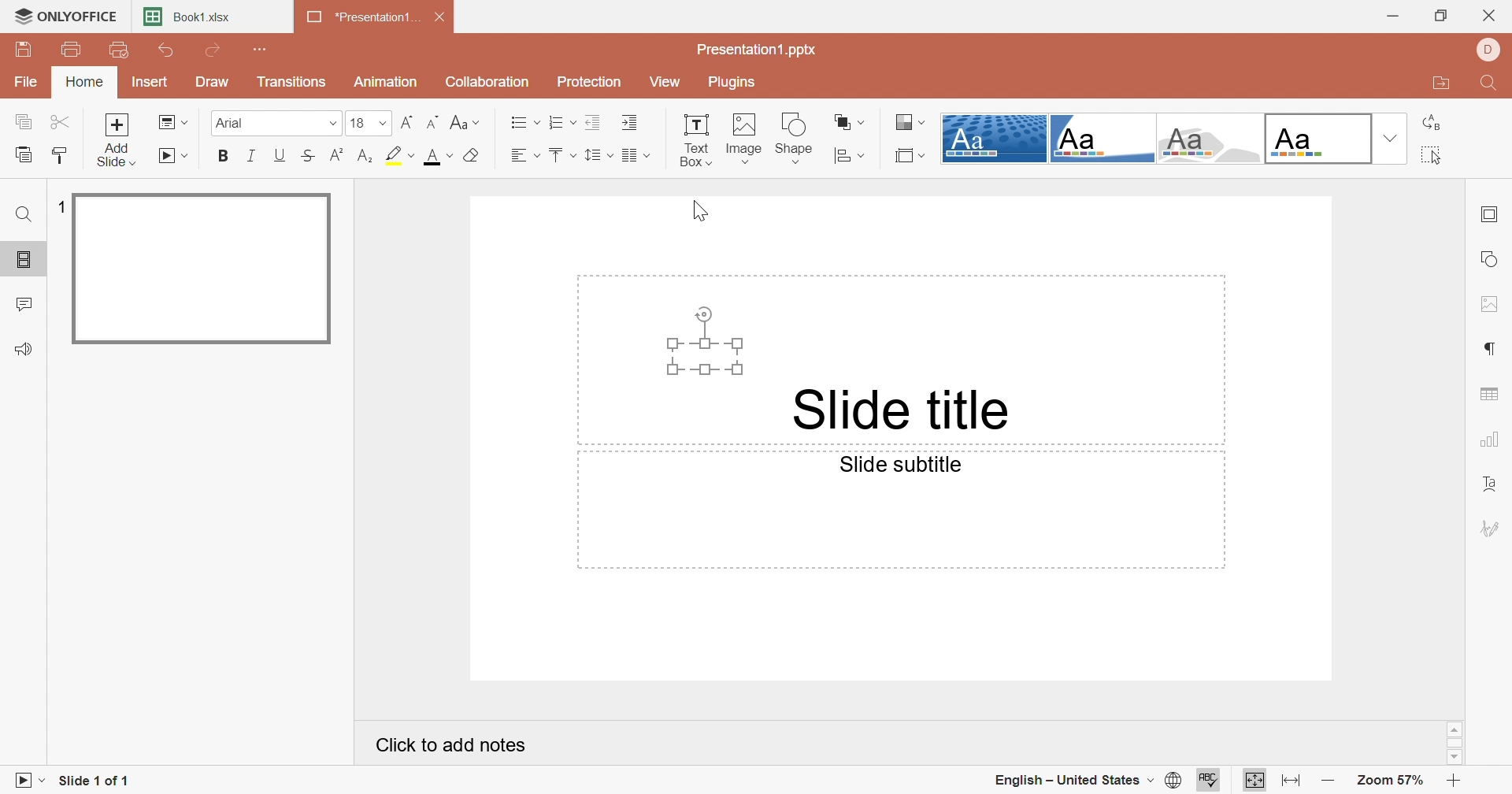 The width and height of the screenshot is (1512, 794). Describe the element at coordinates (439, 158) in the screenshot. I see `Font color` at that location.